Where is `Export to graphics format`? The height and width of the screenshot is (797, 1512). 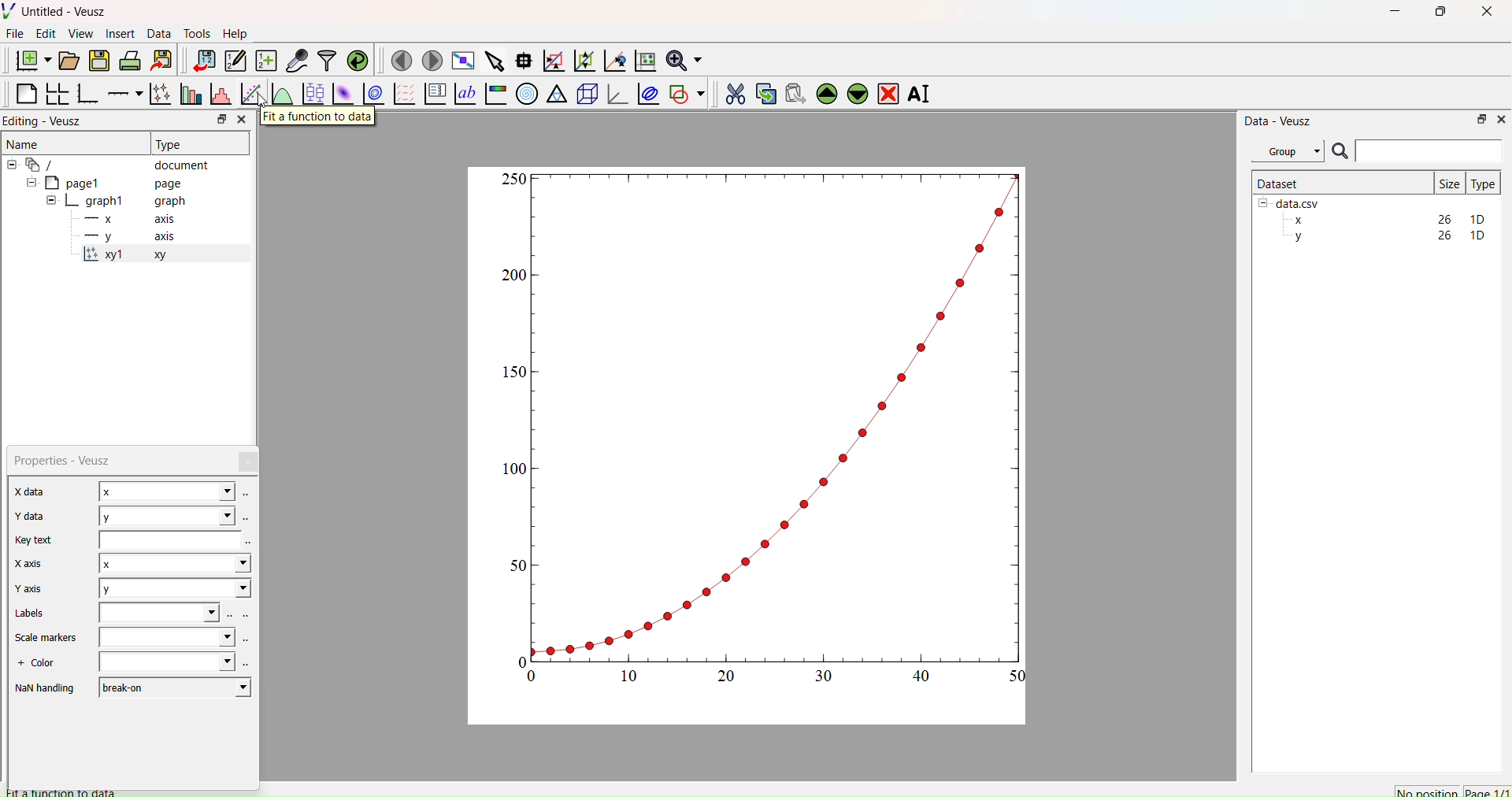
Export to graphics format is located at coordinates (161, 61).